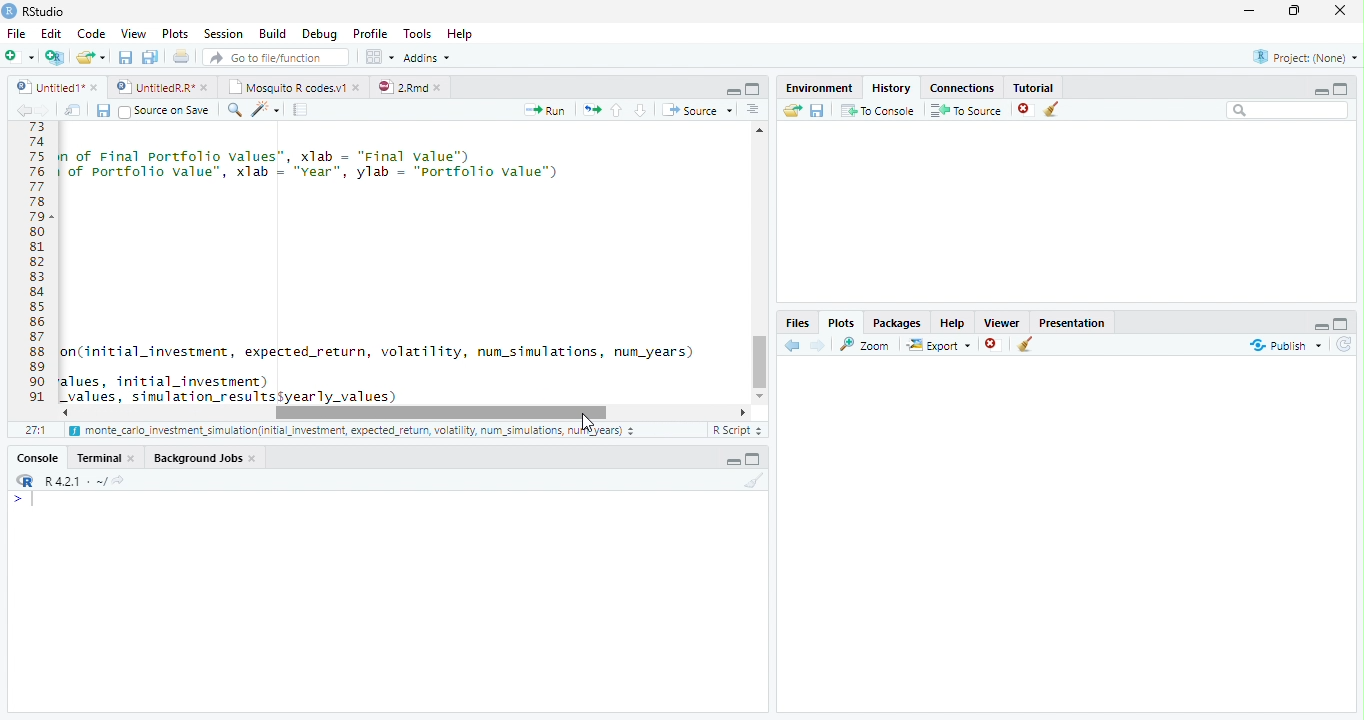  Describe the element at coordinates (751, 481) in the screenshot. I see `Clear` at that location.